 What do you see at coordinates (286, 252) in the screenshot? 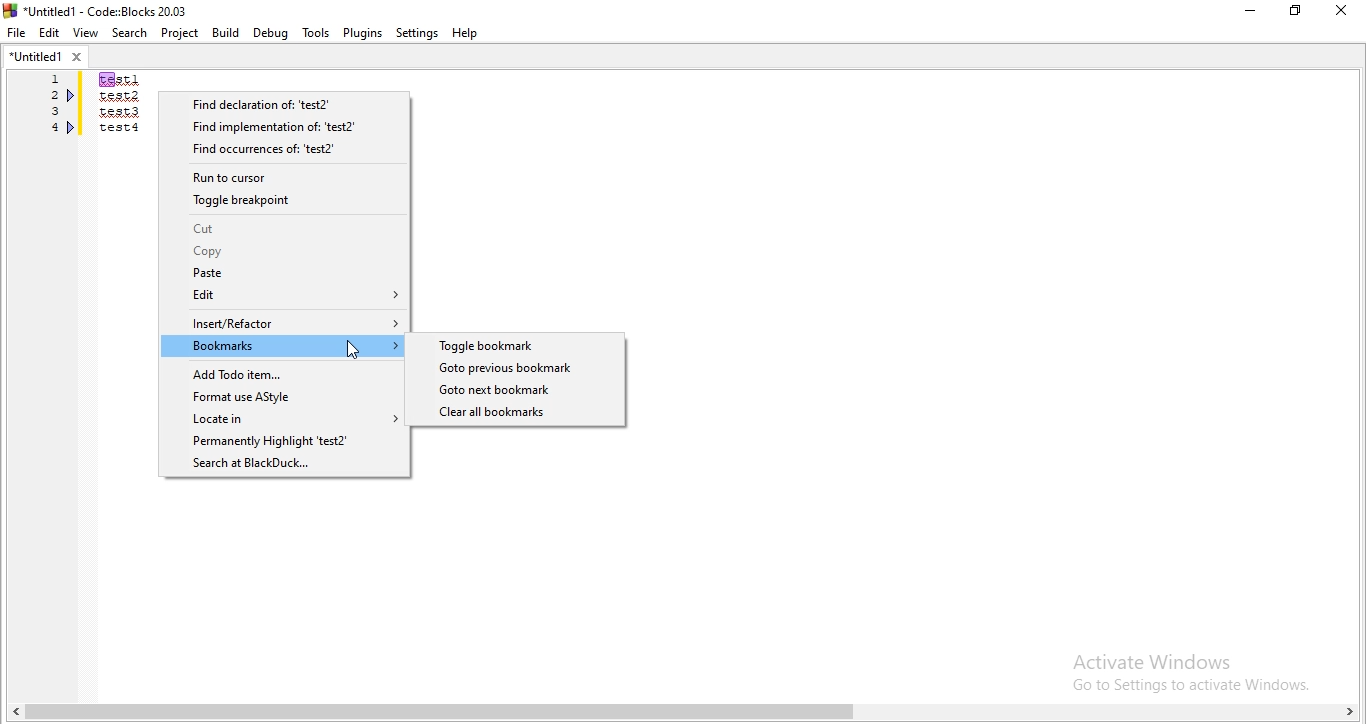
I see `Copy` at bounding box center [286, 252].